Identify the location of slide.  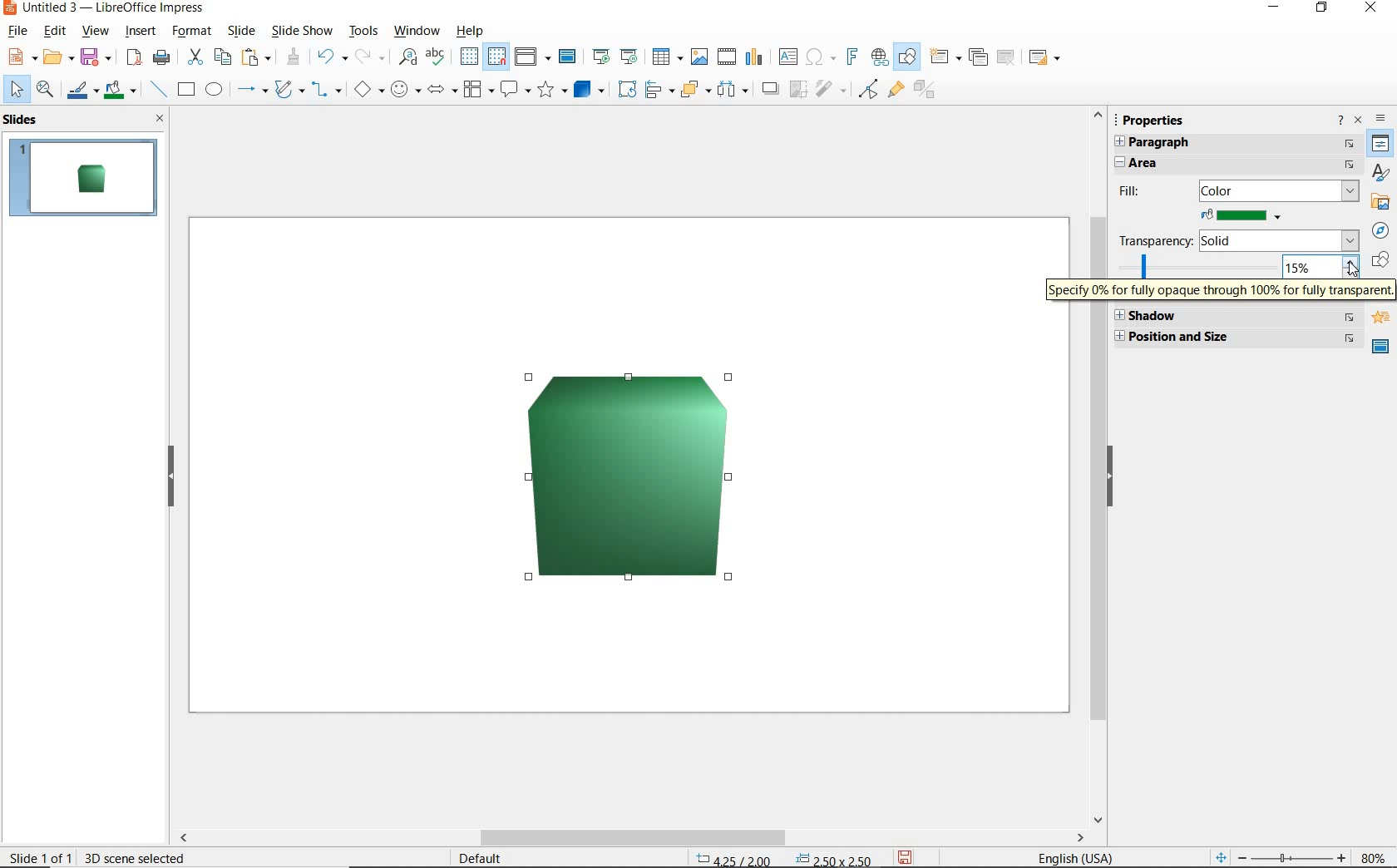
(239, 31).